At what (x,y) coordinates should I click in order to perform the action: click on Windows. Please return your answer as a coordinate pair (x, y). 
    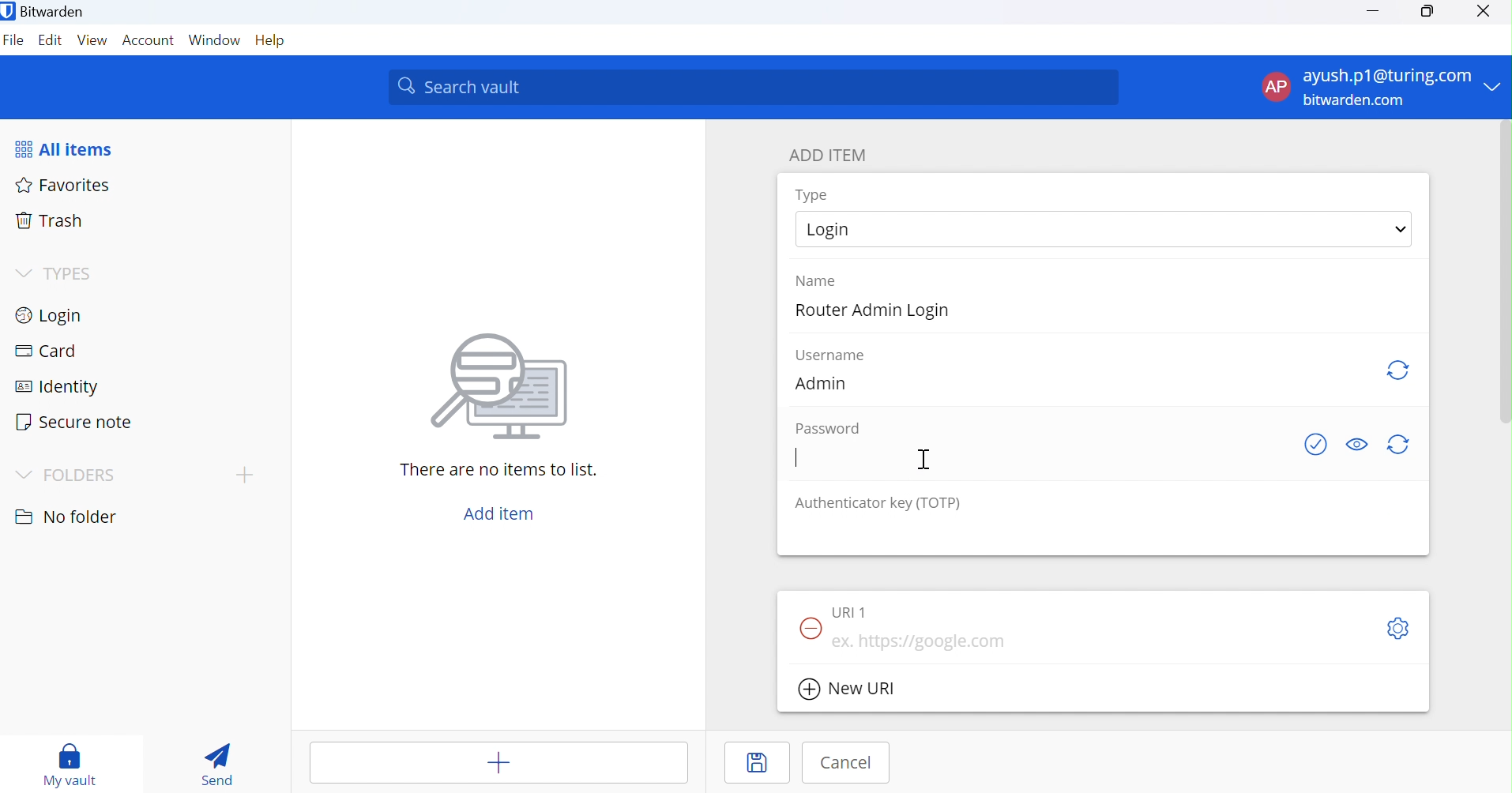
    Looking at the image, I should click on (215, 43).